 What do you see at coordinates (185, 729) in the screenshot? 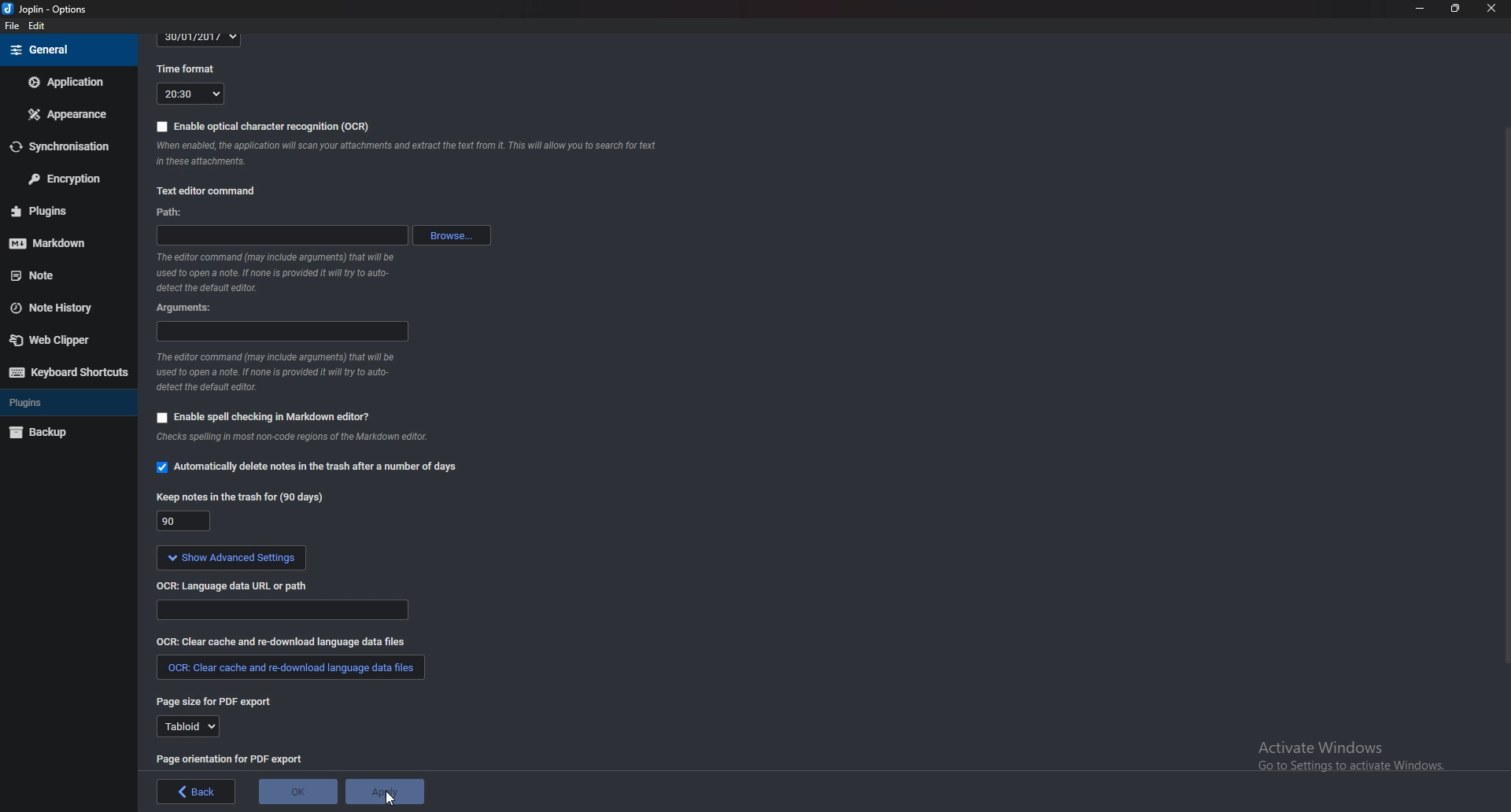
I see `Tabloid` at bounding box center [185, 729].